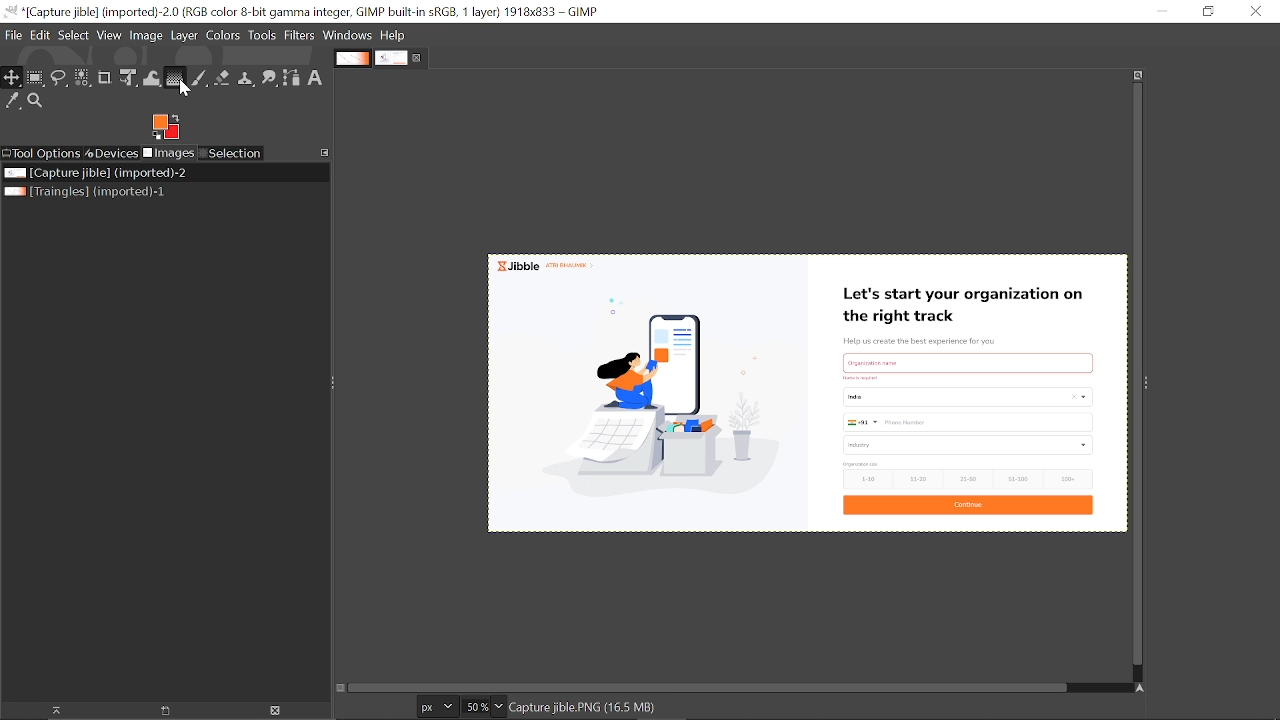  What do you see at coordinates (14, 34) in the screenshot?
I see `File` at bounding box center [14, 34].